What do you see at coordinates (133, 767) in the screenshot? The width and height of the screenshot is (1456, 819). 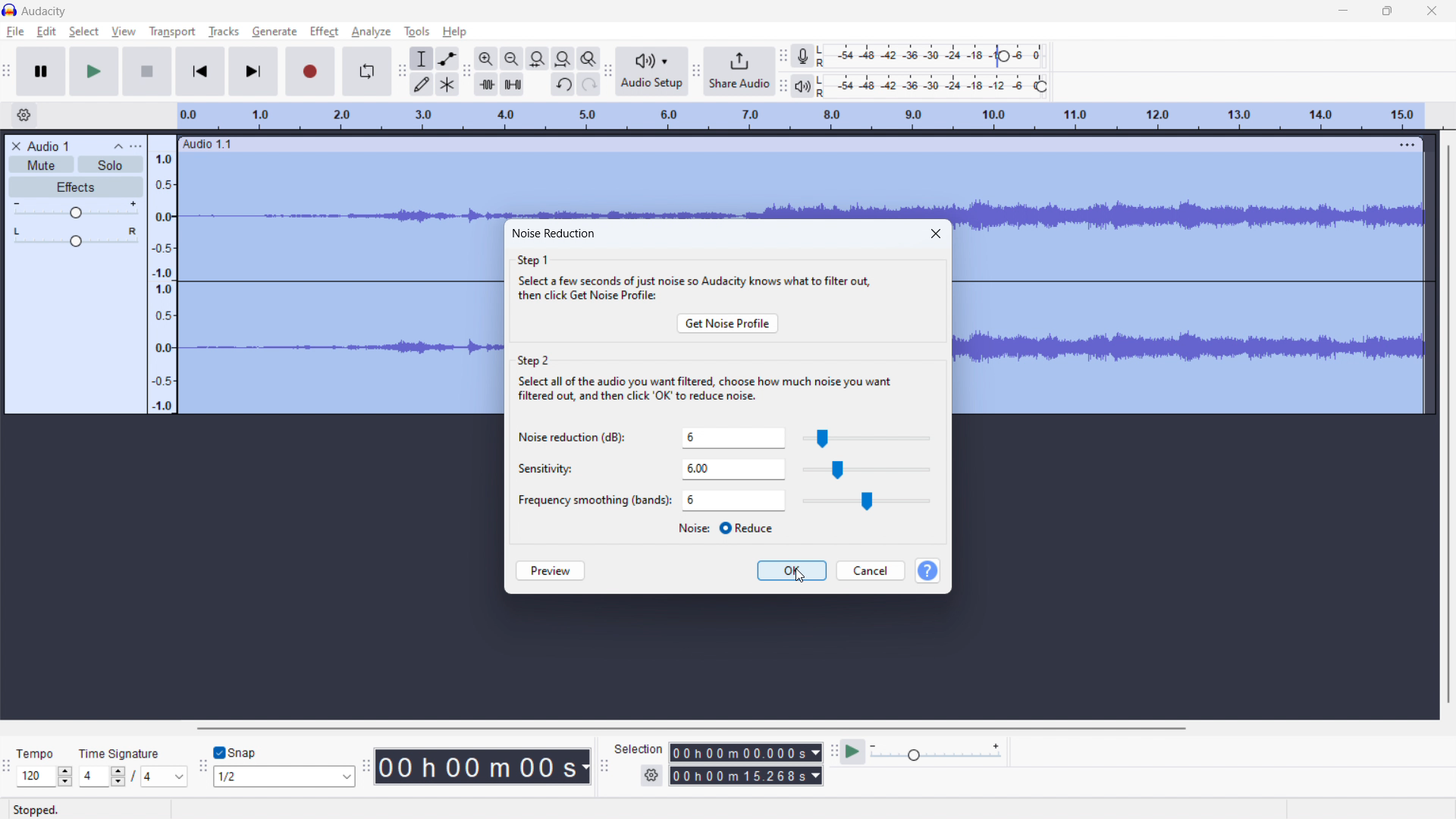 I see `set time signature` at bounding box center [133, 767].